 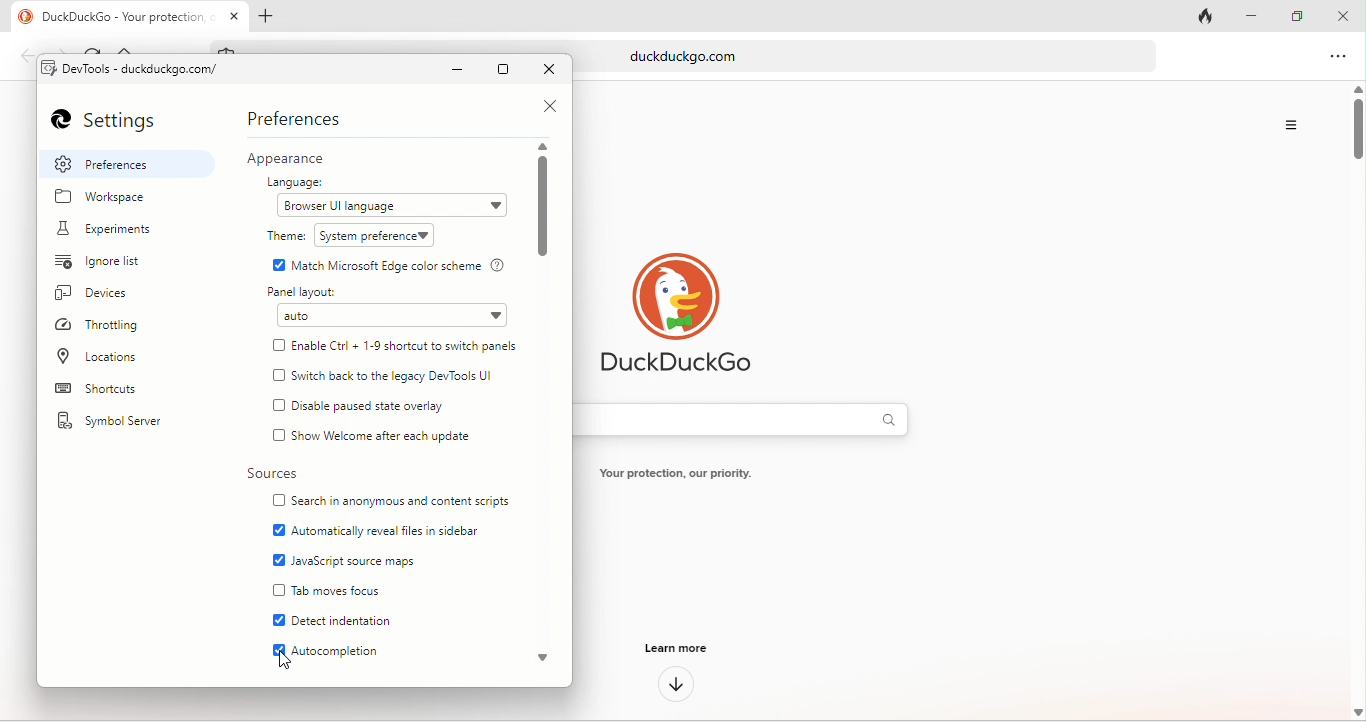 What do you see at coordinates (507, 70) in the screenshot?
I see `maximize` at bounding box center [507, 70].